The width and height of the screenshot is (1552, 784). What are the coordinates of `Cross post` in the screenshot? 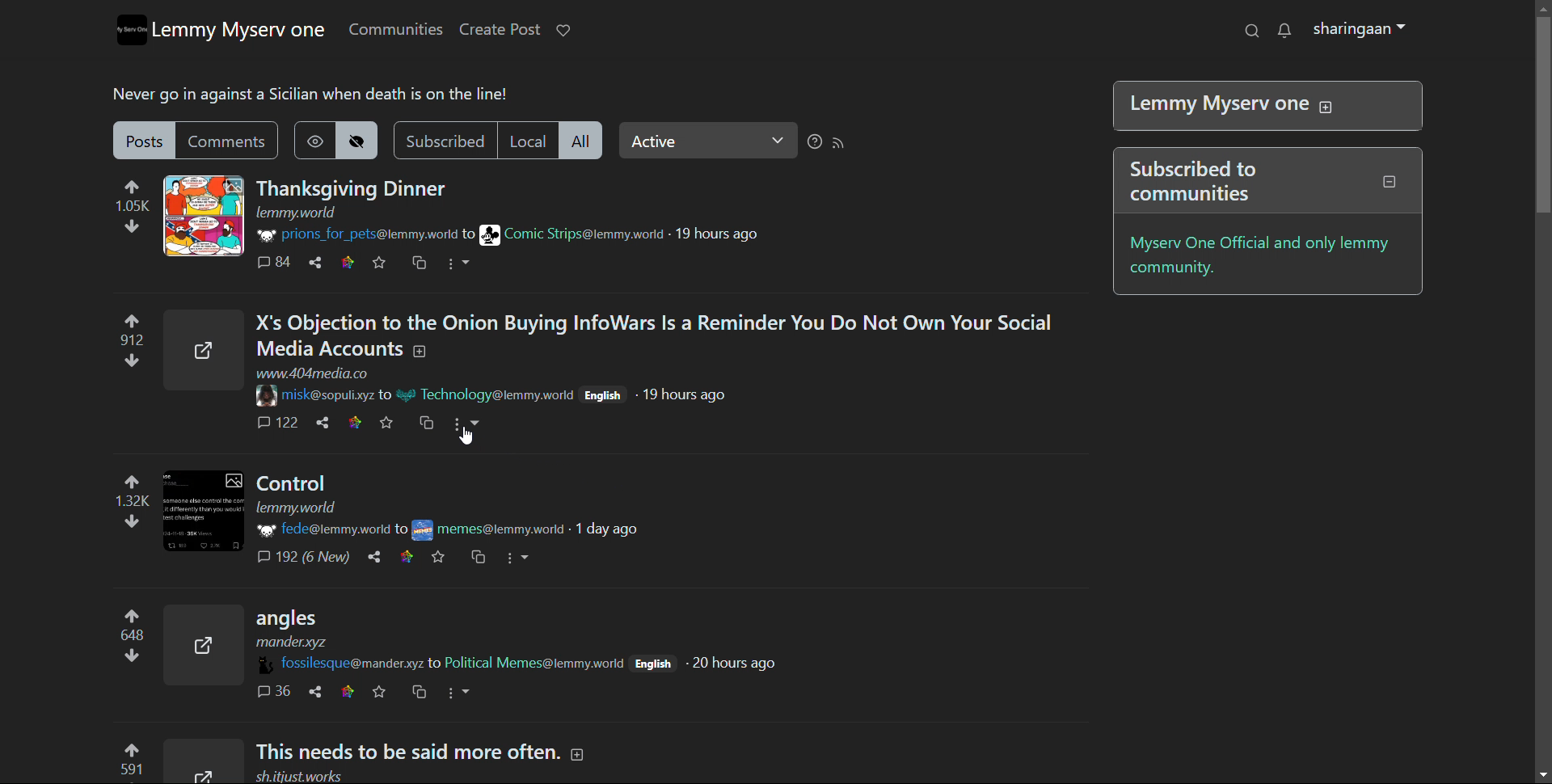 It's located at (478, 557).